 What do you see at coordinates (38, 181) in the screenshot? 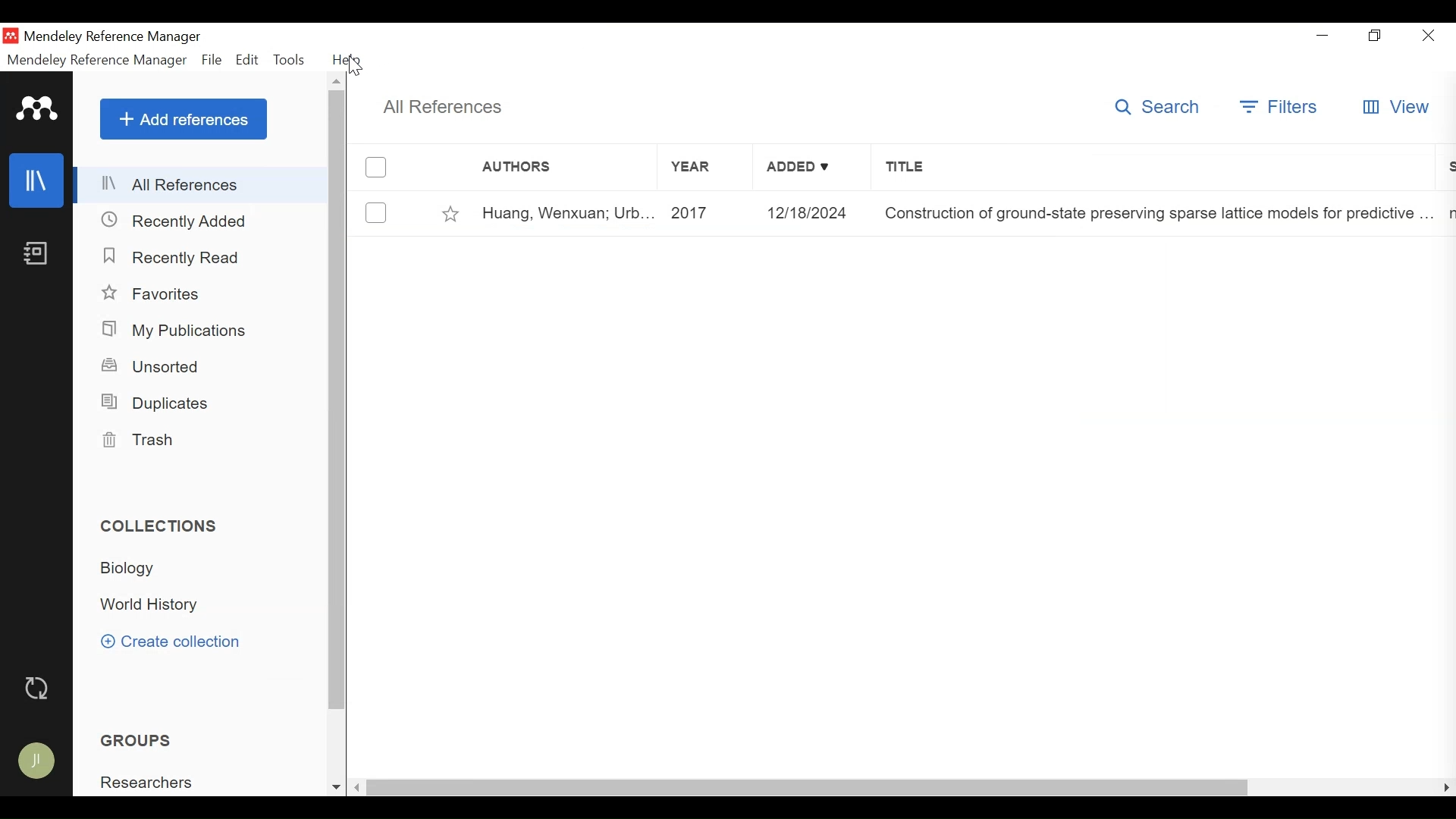
I see `Library` at bounding box center [38, 181].